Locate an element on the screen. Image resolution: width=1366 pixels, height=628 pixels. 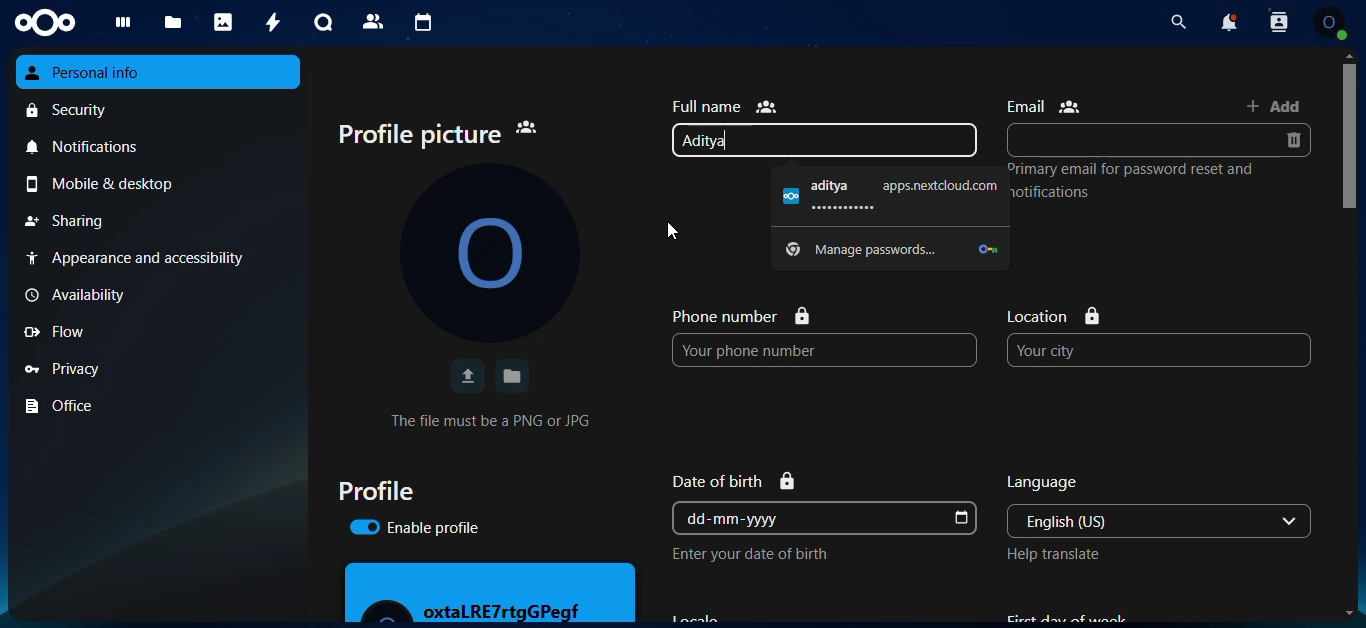
The file must be a PNG or JPG is located at coordinates (490, 420).